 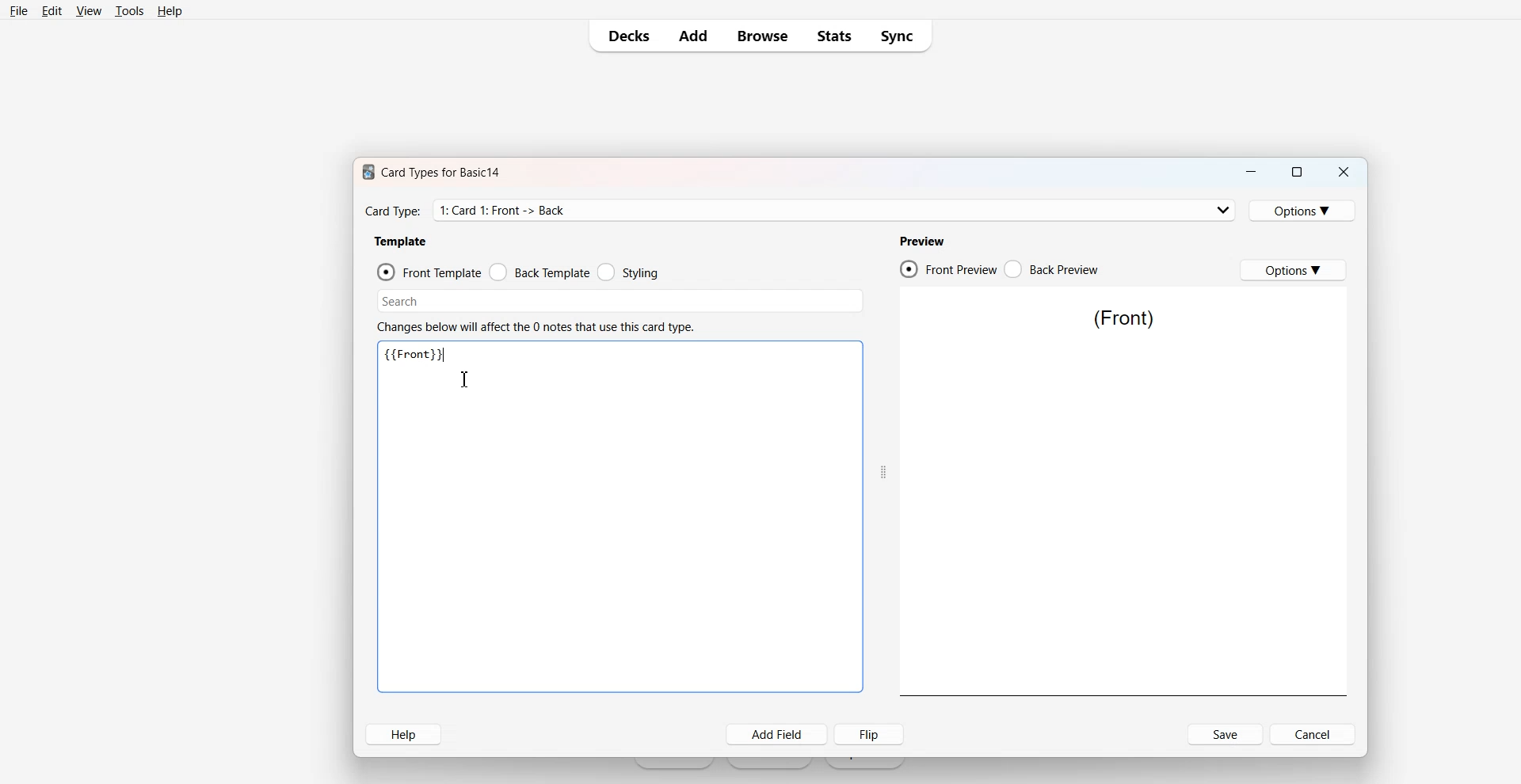 I want to click on Close, so click(x=1343, y=172).